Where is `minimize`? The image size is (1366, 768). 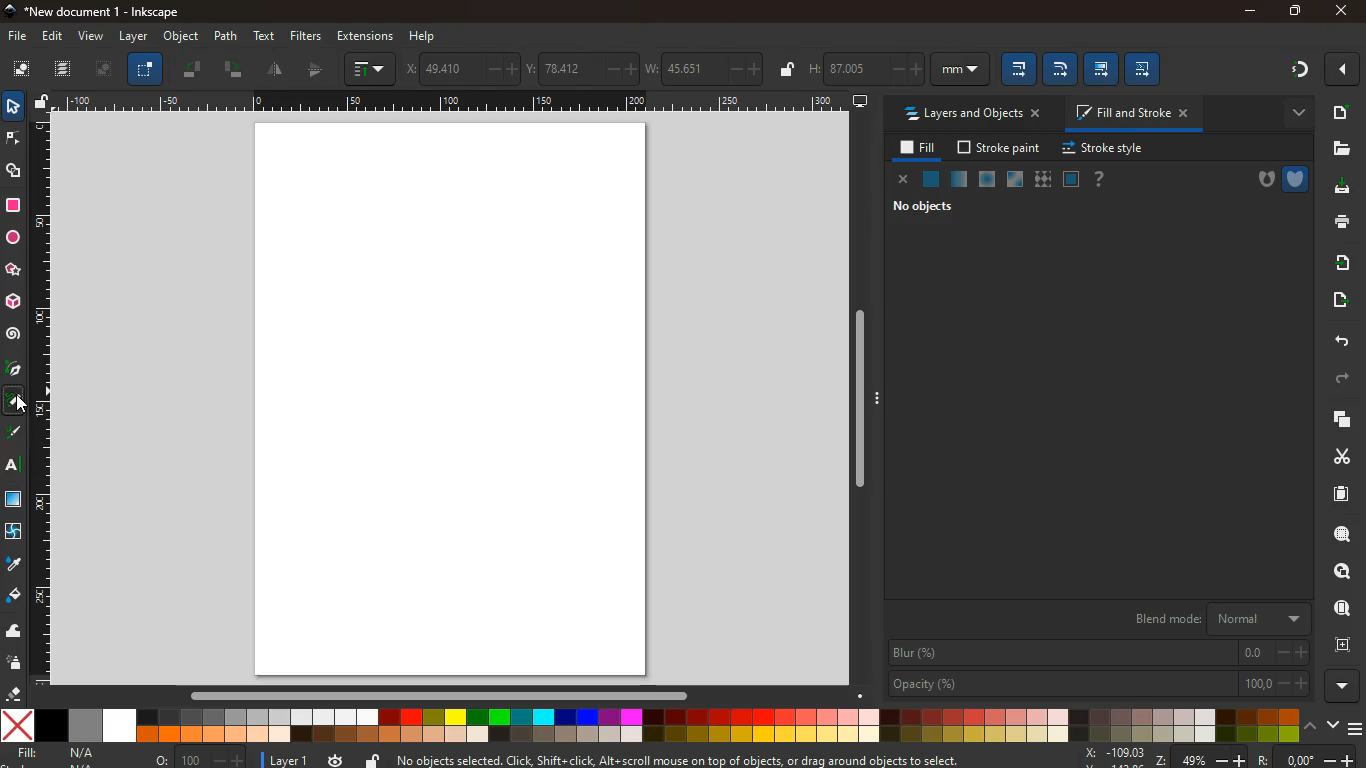 minimize is located at coordinates (1252, 12).